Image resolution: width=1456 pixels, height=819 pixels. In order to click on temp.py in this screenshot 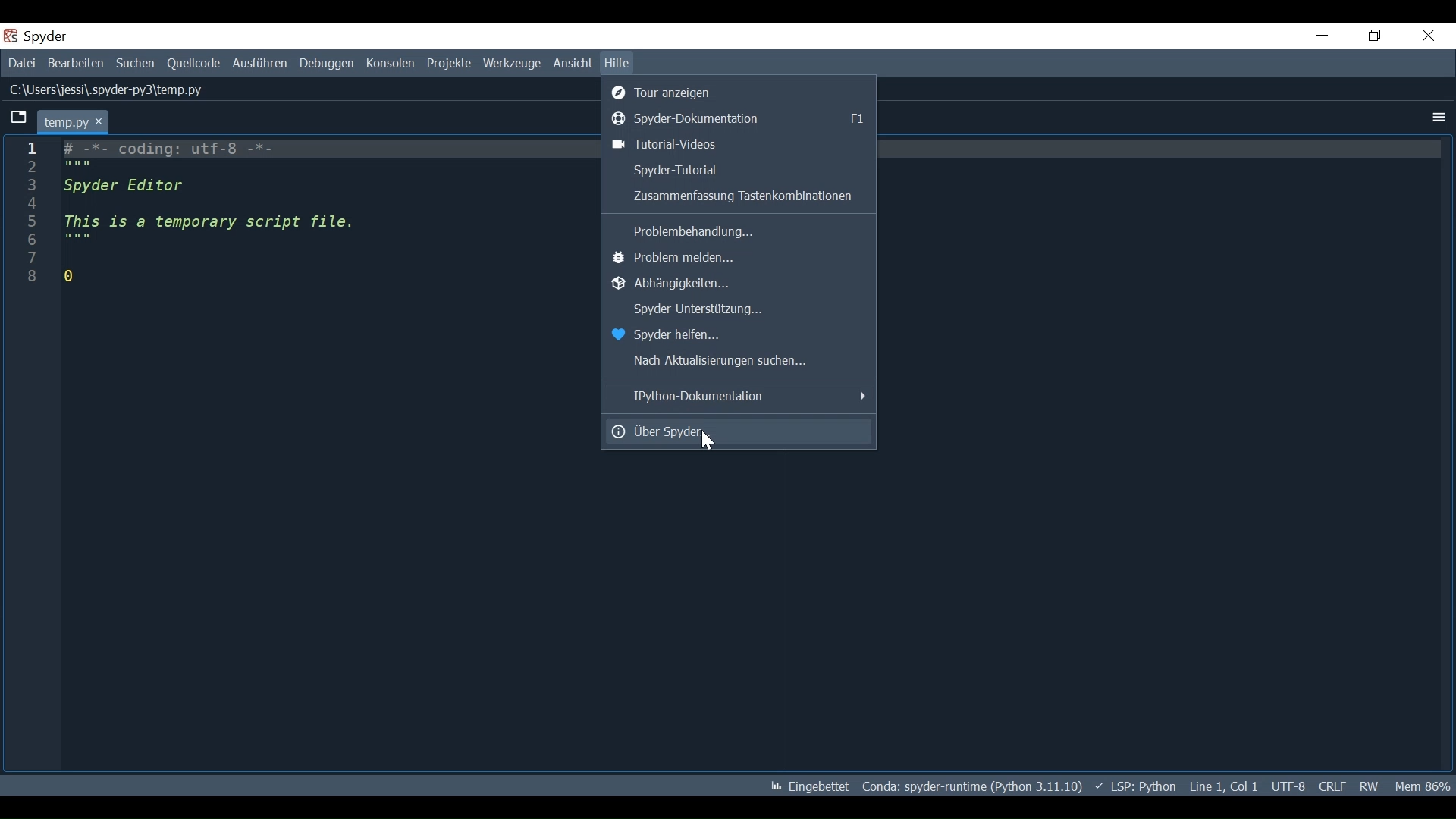, I will do `click(72, 121)`.